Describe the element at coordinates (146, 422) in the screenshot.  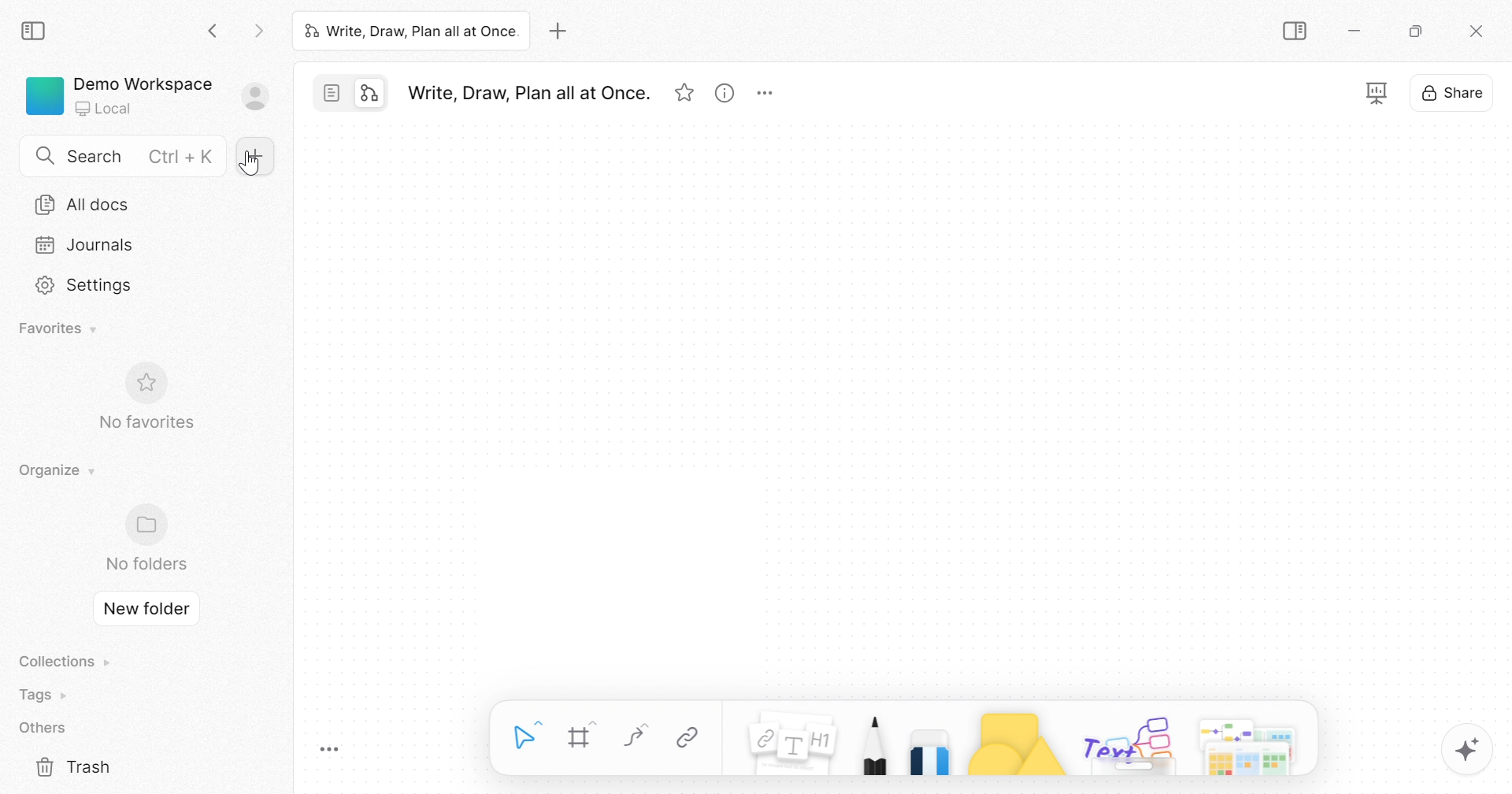
I see `No favorites` at that location.